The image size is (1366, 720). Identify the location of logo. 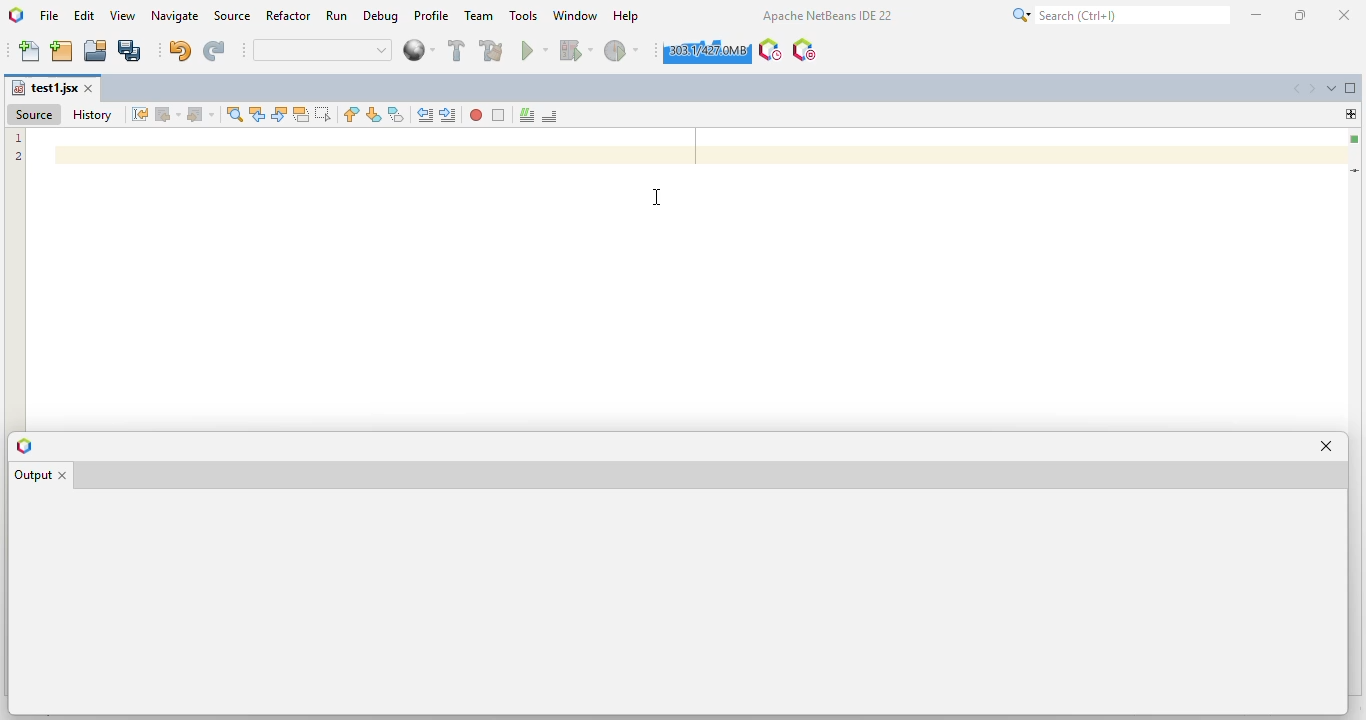
(23, 447).